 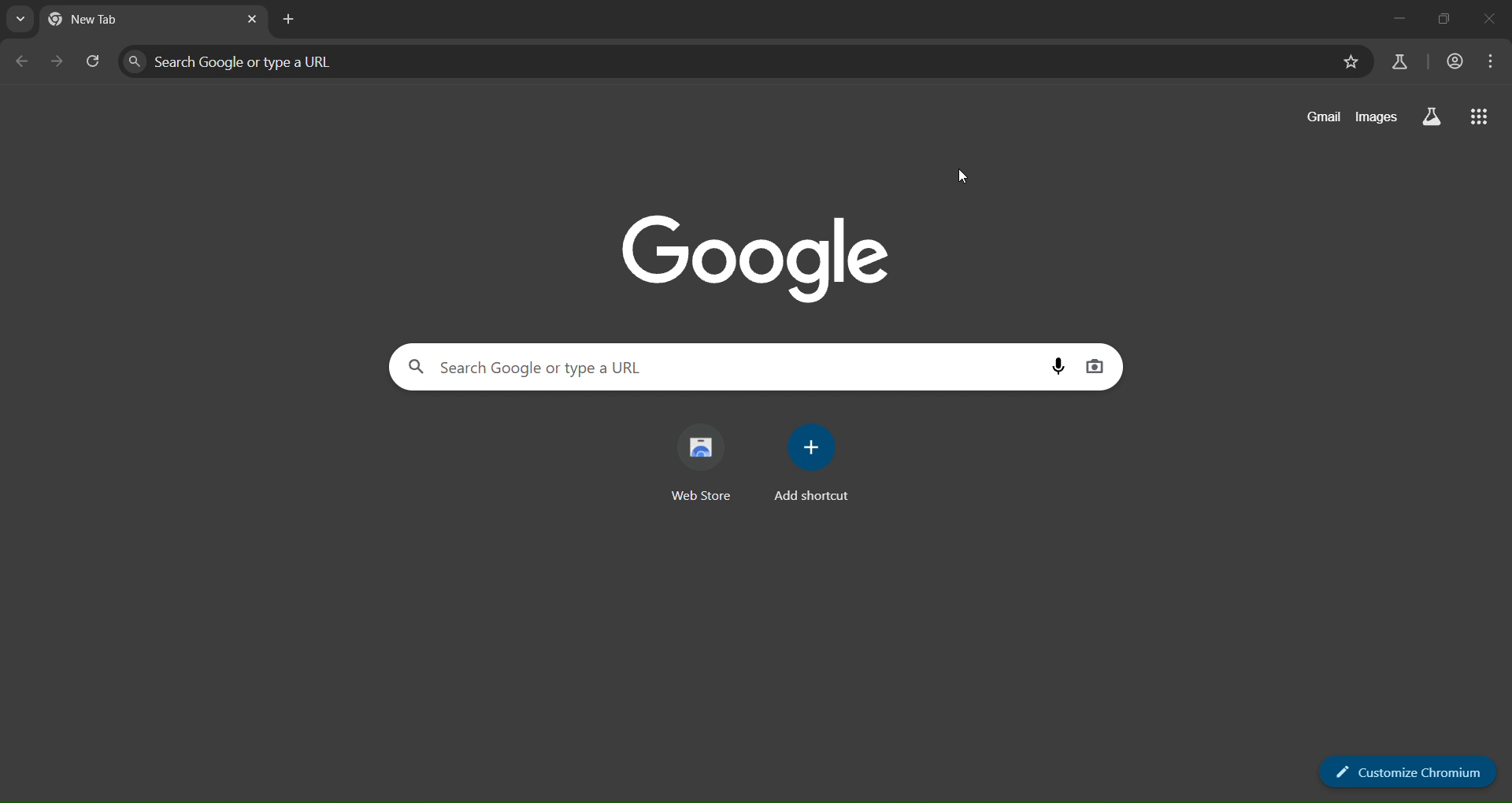 What do you see at coordinates (1095, 366) in the screenshot?
I see `image search` at bounding box center [1095, 366].